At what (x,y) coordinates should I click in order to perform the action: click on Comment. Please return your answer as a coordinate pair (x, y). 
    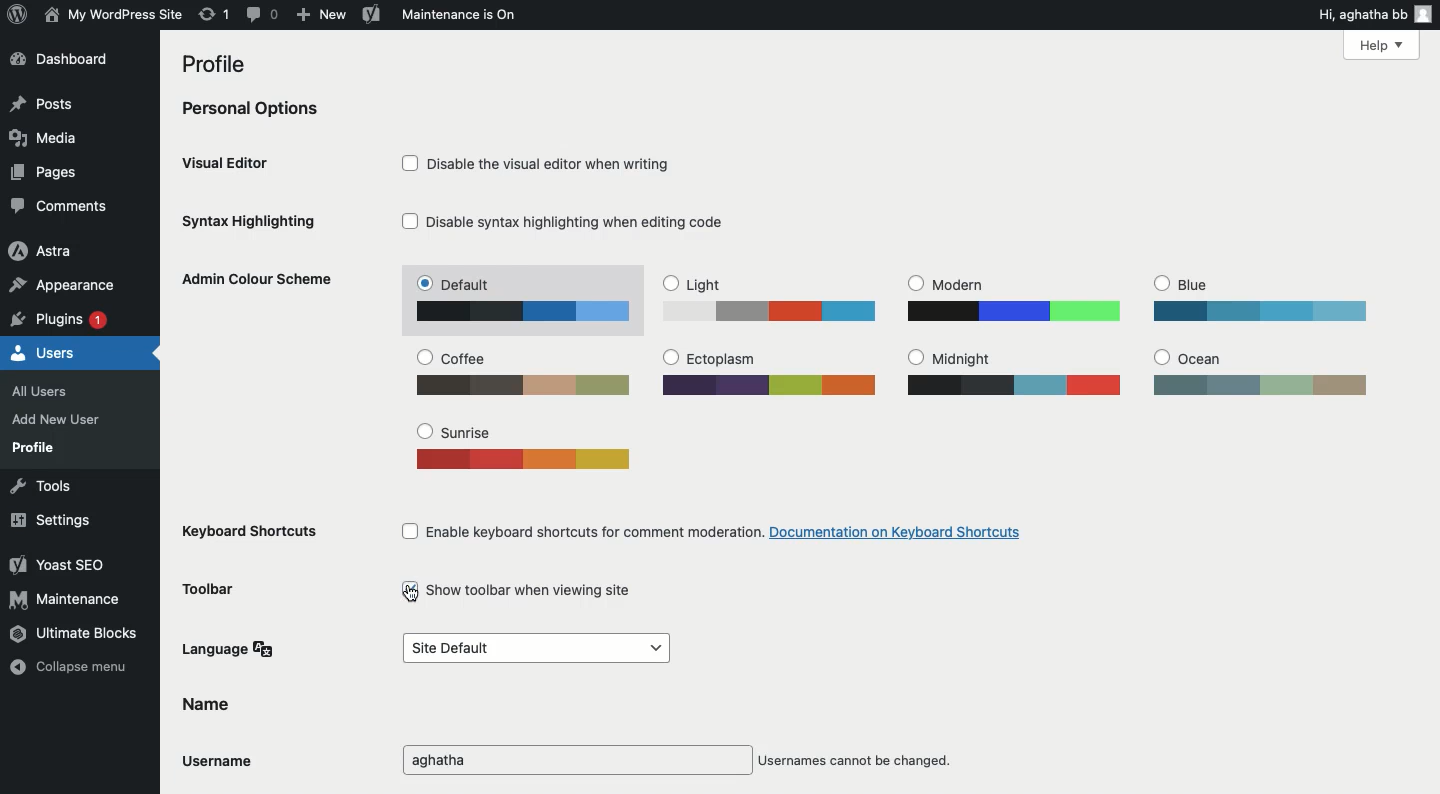
    Looking at the image, I should click on (264, 14).